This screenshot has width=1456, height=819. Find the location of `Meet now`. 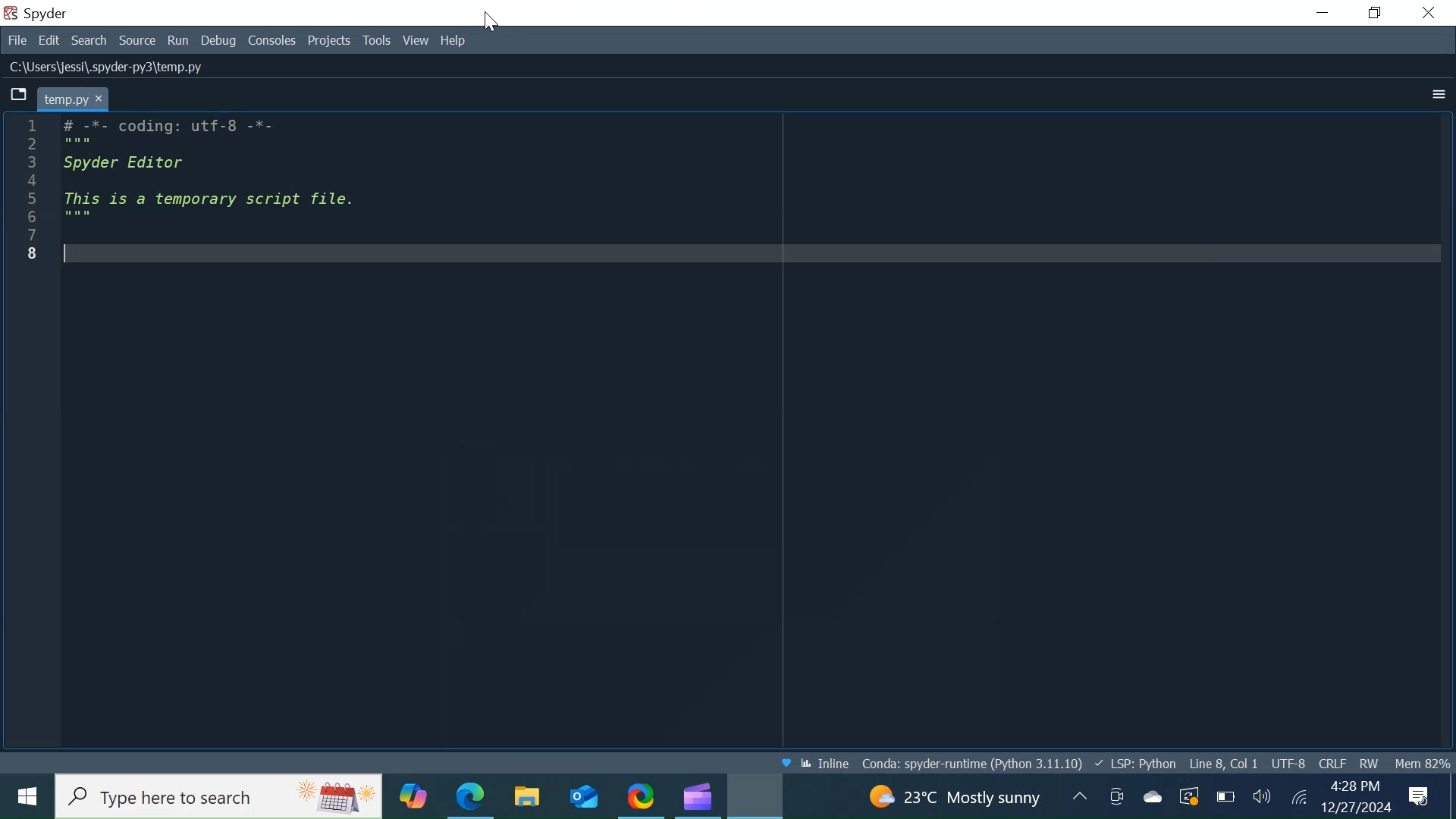

Meet now is located at coordinates (1116, 796).